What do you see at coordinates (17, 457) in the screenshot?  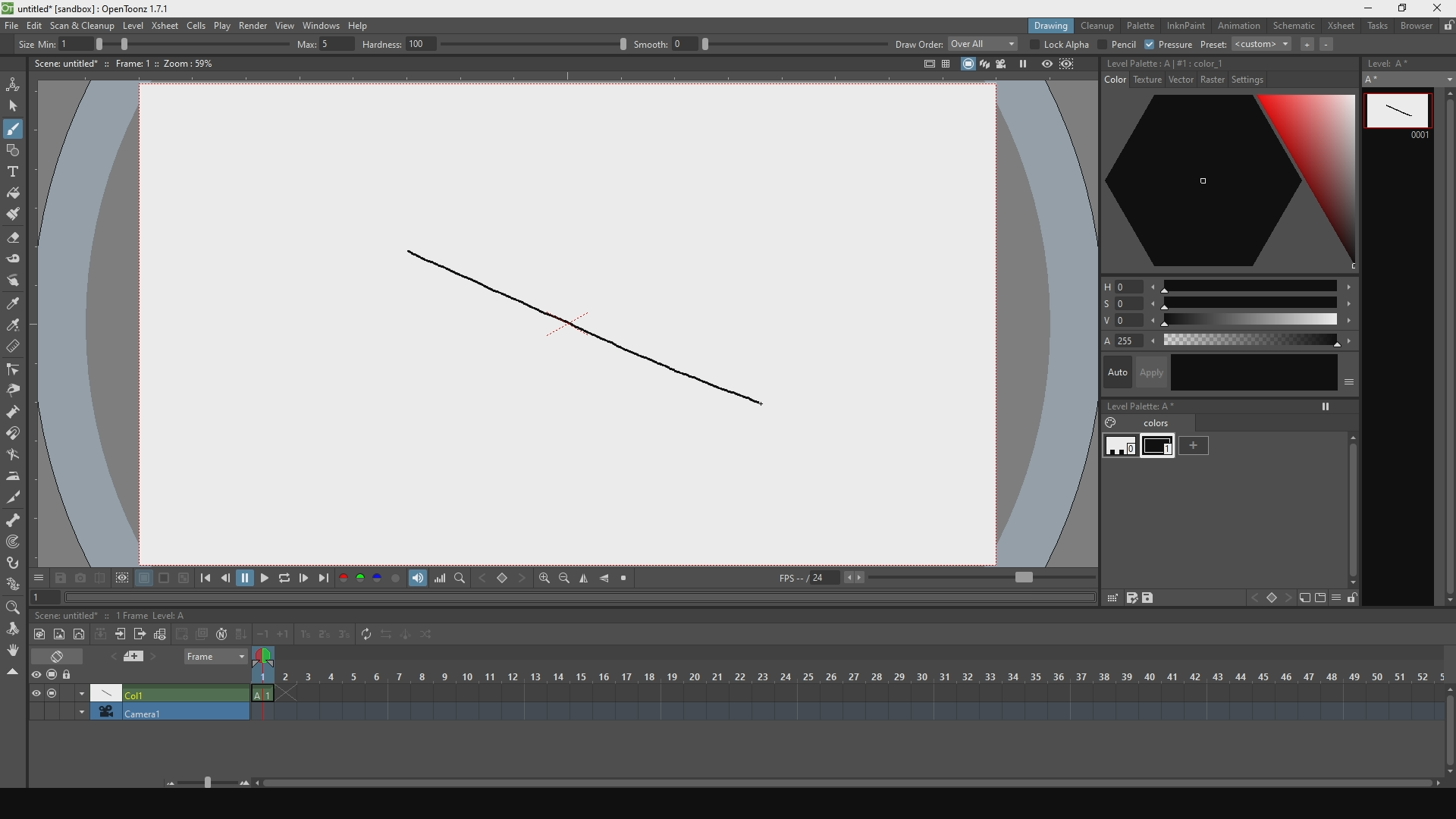 I see `turn` at bounding box center [17, 457].